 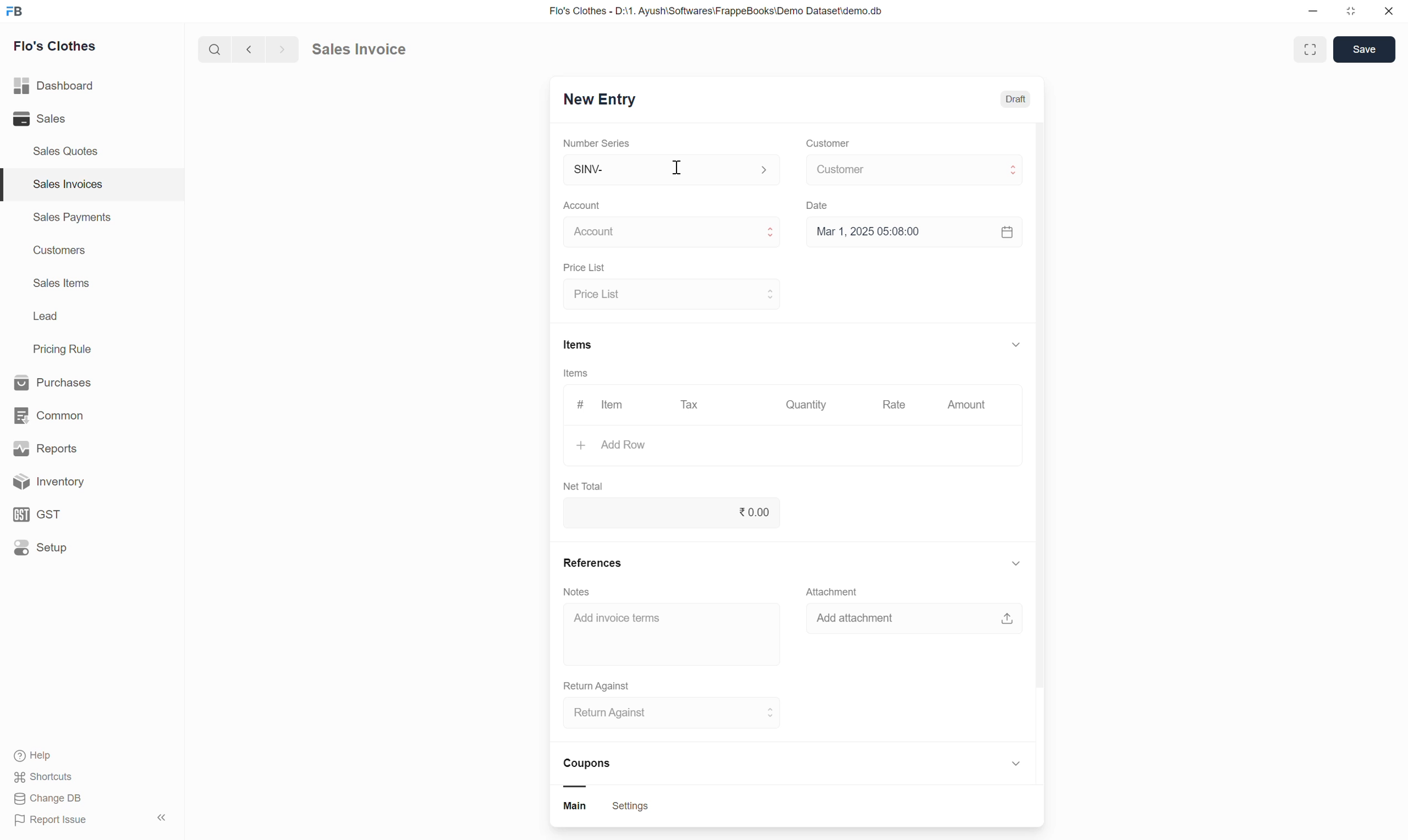 I want to click on Lead, so click(x=45, y=318).